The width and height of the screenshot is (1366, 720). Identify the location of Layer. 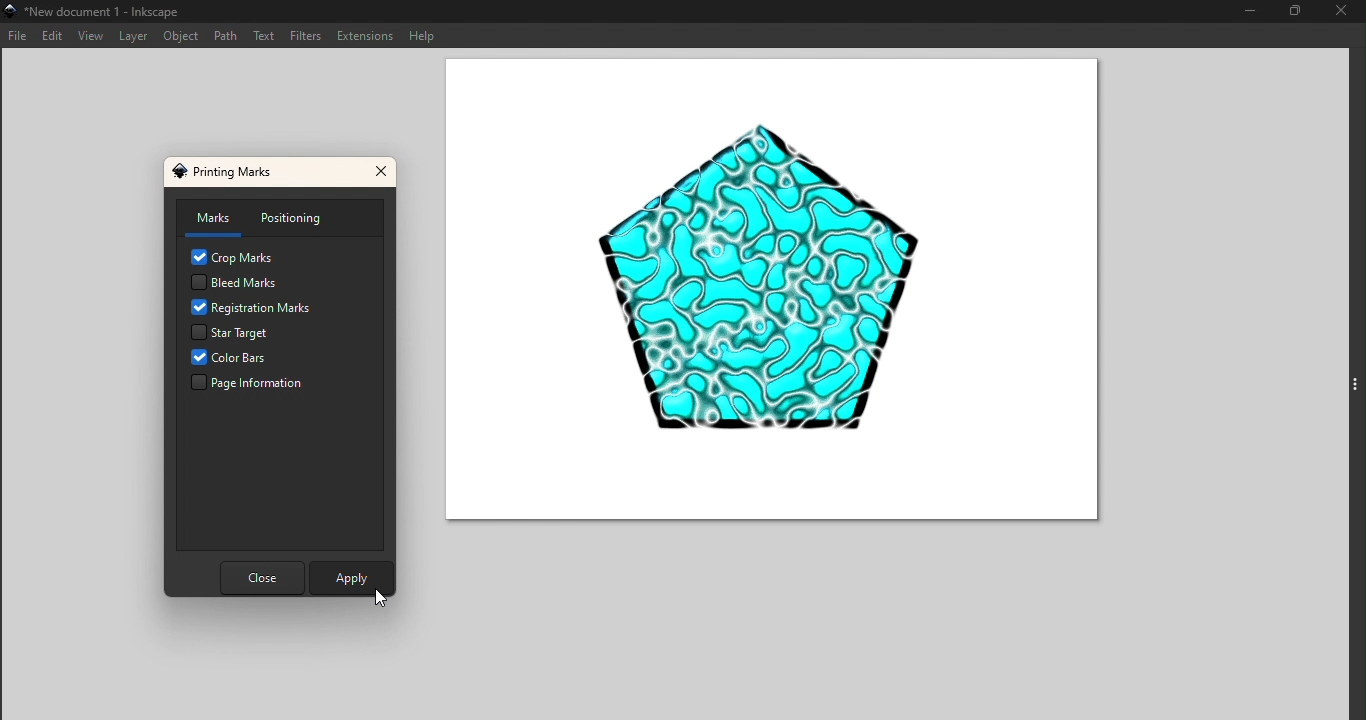
(135, 37).